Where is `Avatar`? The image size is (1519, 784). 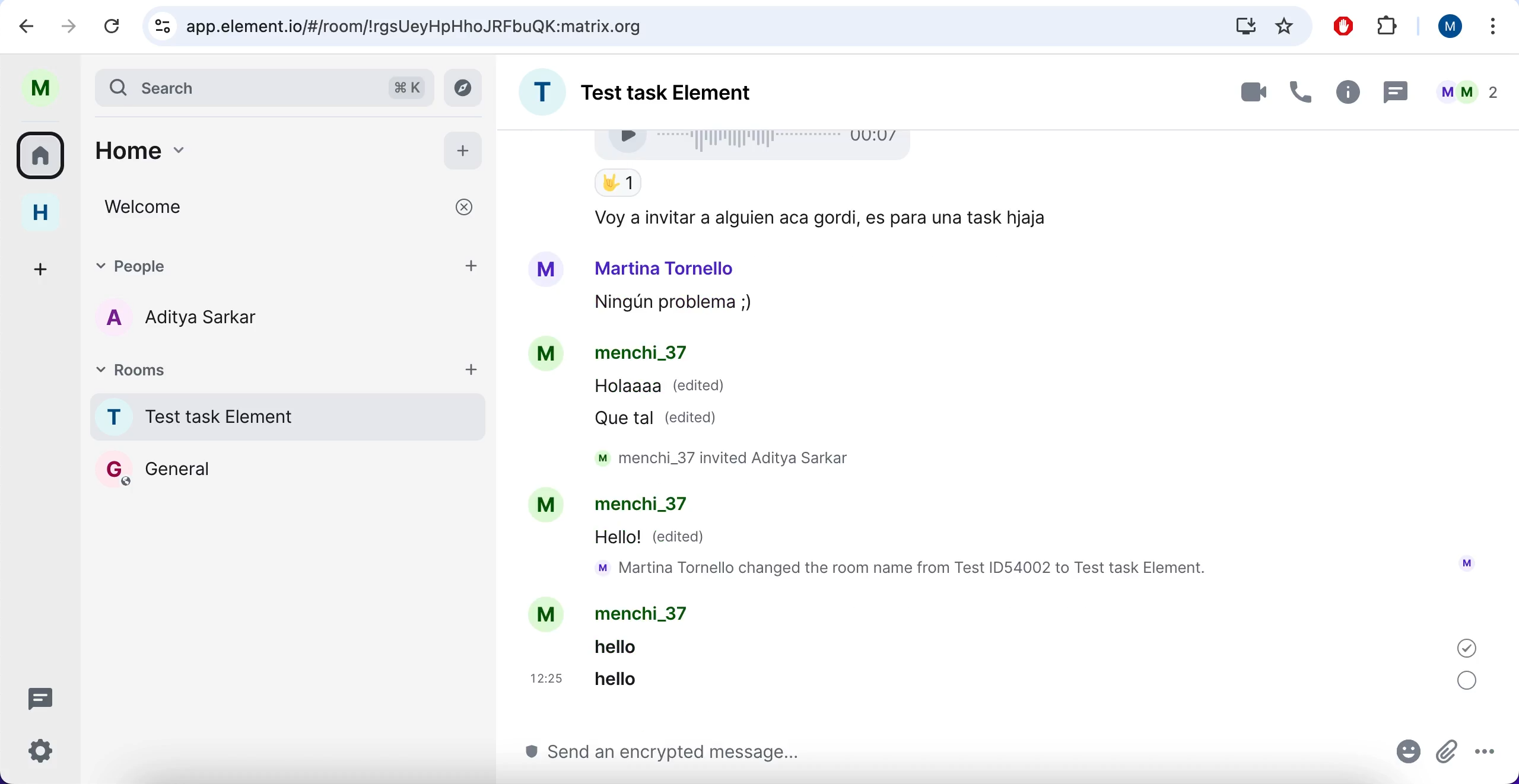
Avatar is located at coordinates (548, 353).